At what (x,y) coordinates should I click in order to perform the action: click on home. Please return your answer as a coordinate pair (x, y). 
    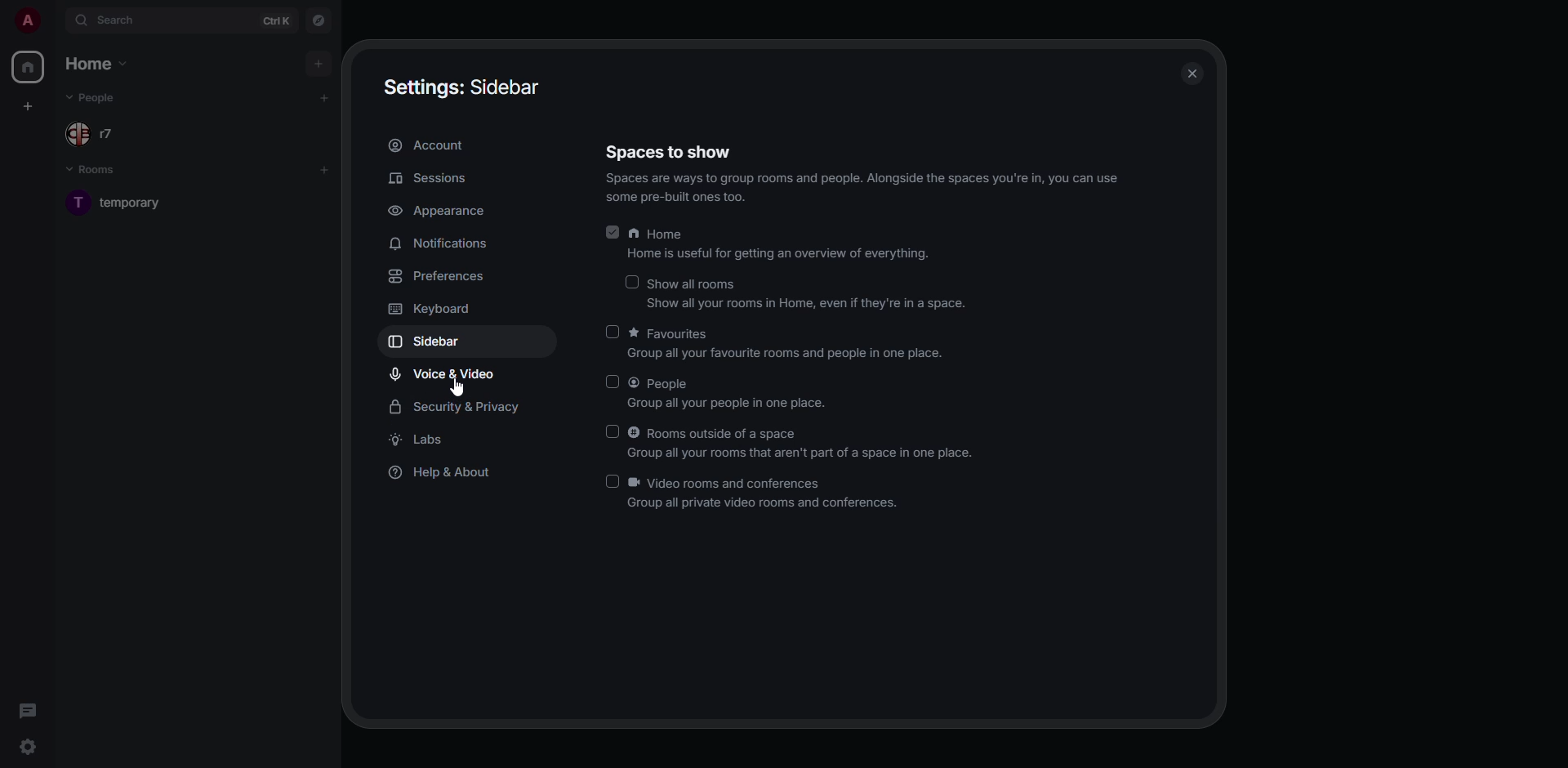
    Looking at the image, I should click on (100, 65).